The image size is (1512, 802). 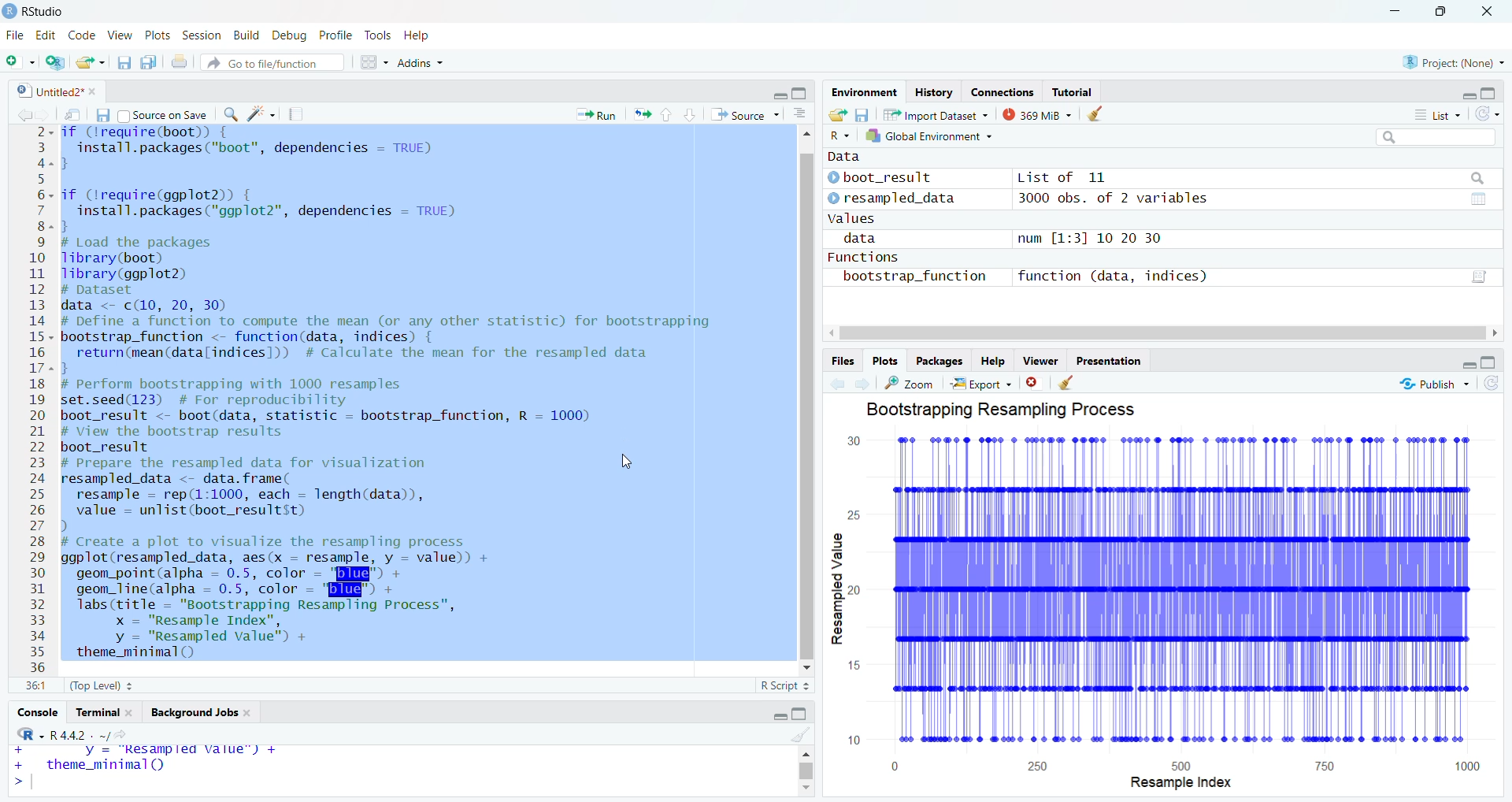 What do you see at coordinates (891, 198) in the screenshot?
I see `resampled data` at bounding box center [891, 198].